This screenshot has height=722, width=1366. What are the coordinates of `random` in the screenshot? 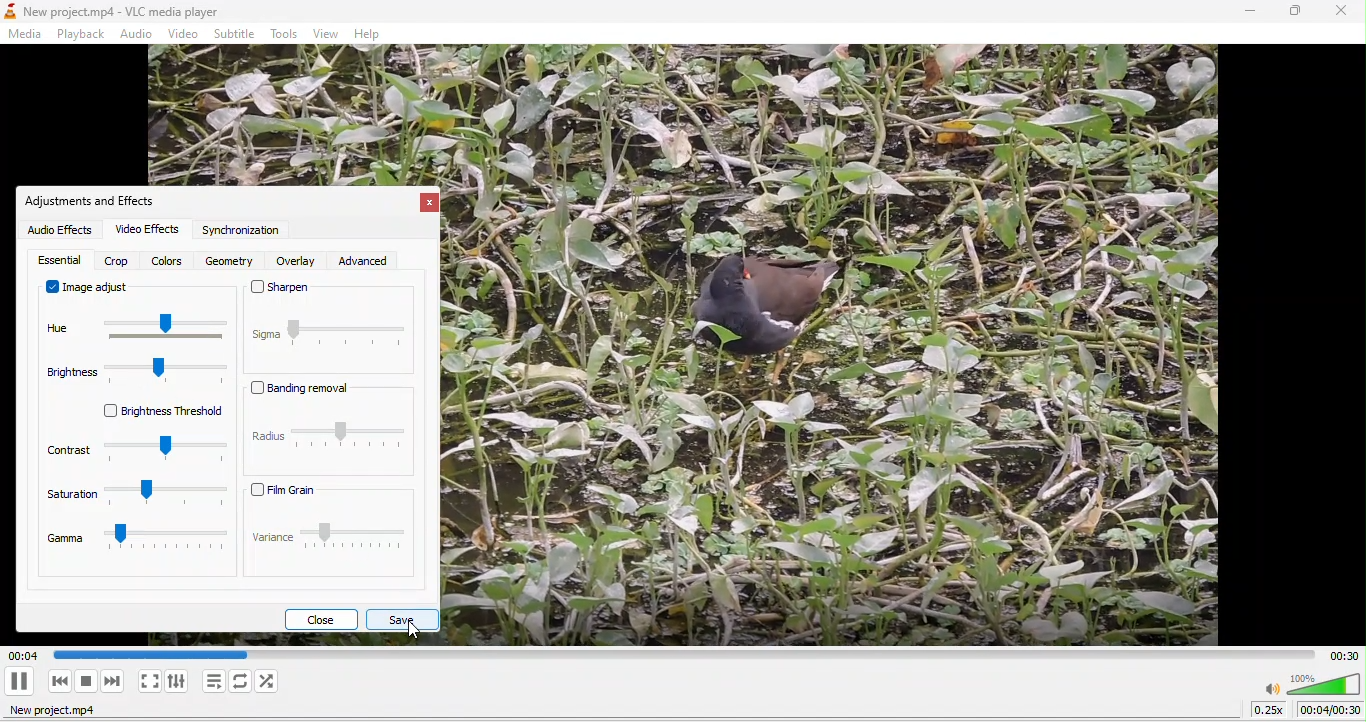 It's located at (274, 683).